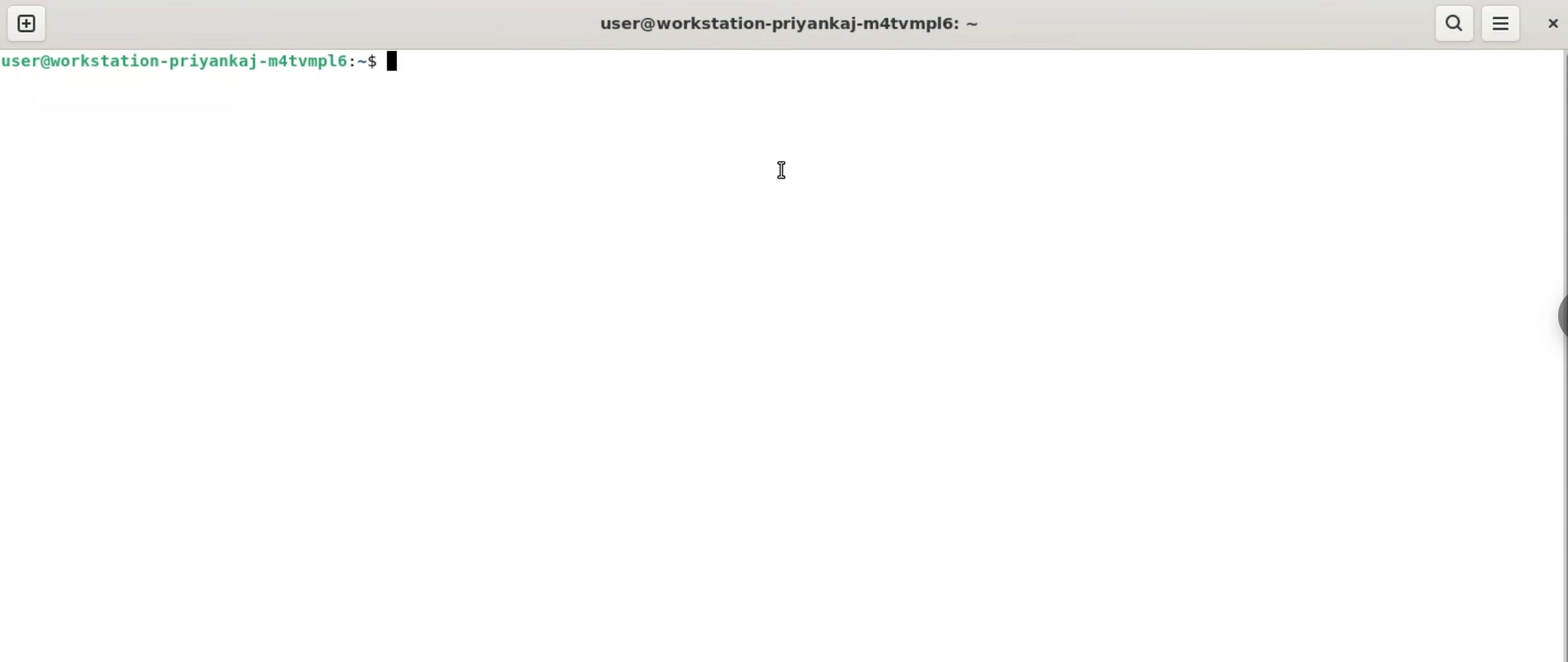  I want to click on cursor, so click(786, 168).